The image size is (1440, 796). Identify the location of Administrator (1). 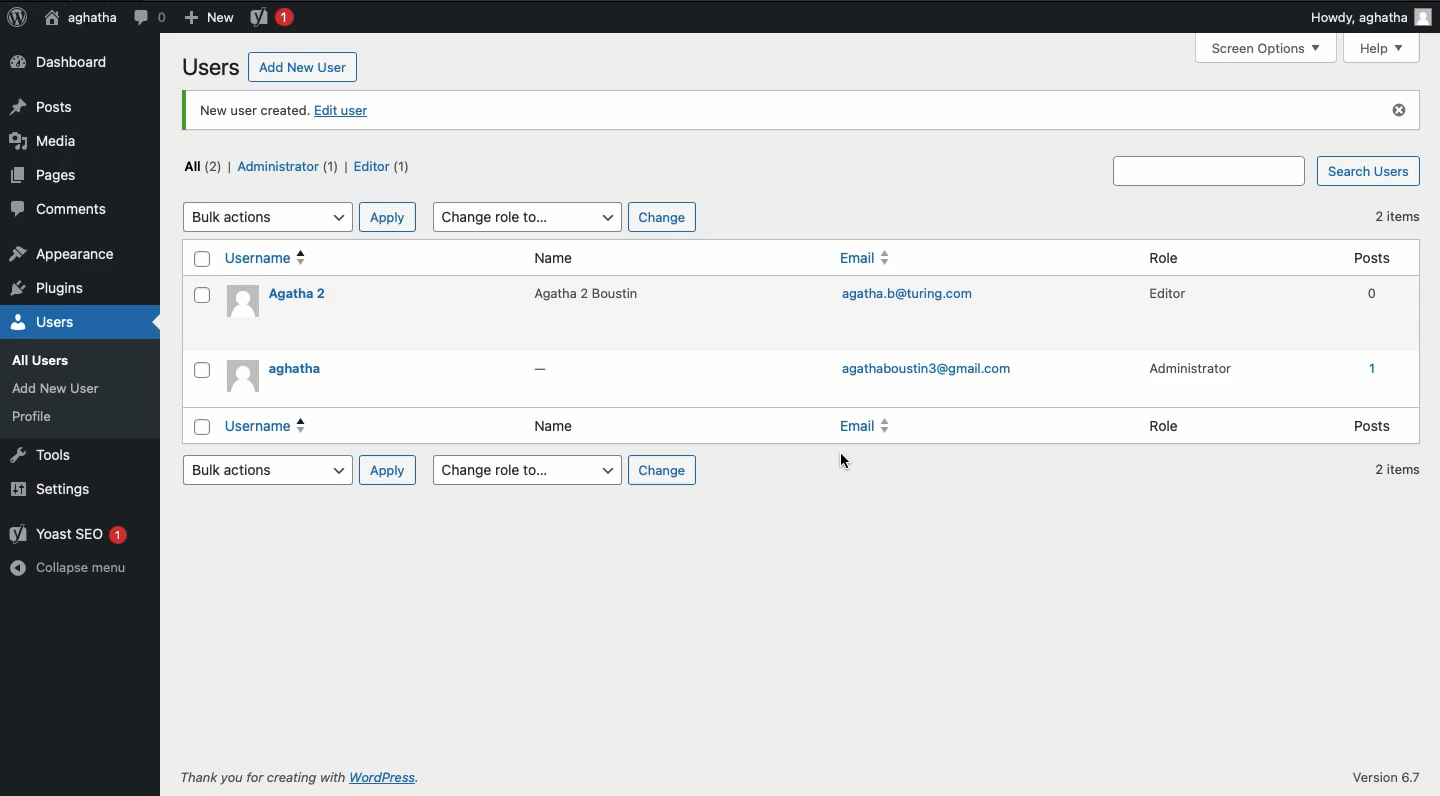
(288, 166).